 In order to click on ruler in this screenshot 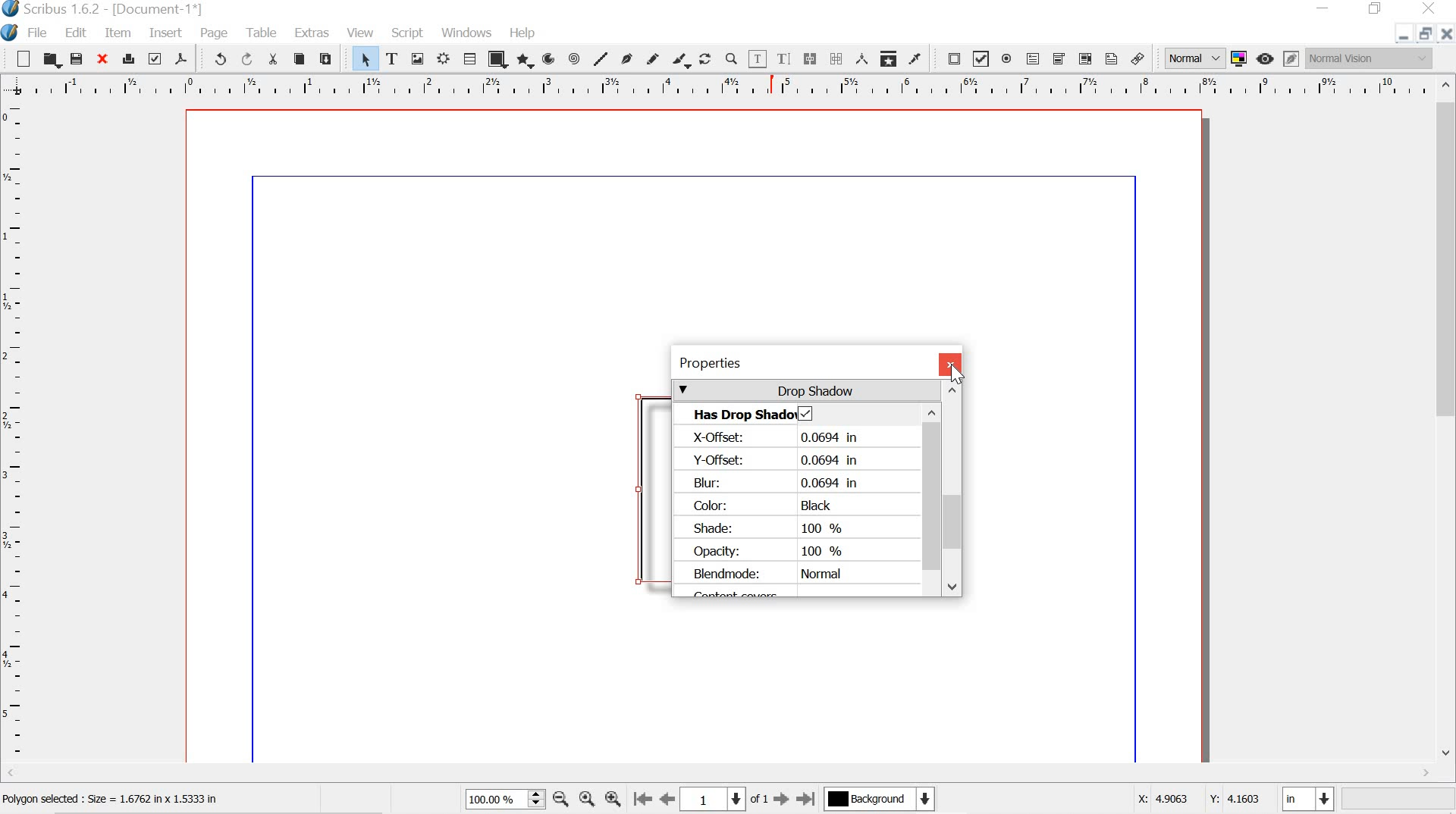, I will do `click(14, 440)`.